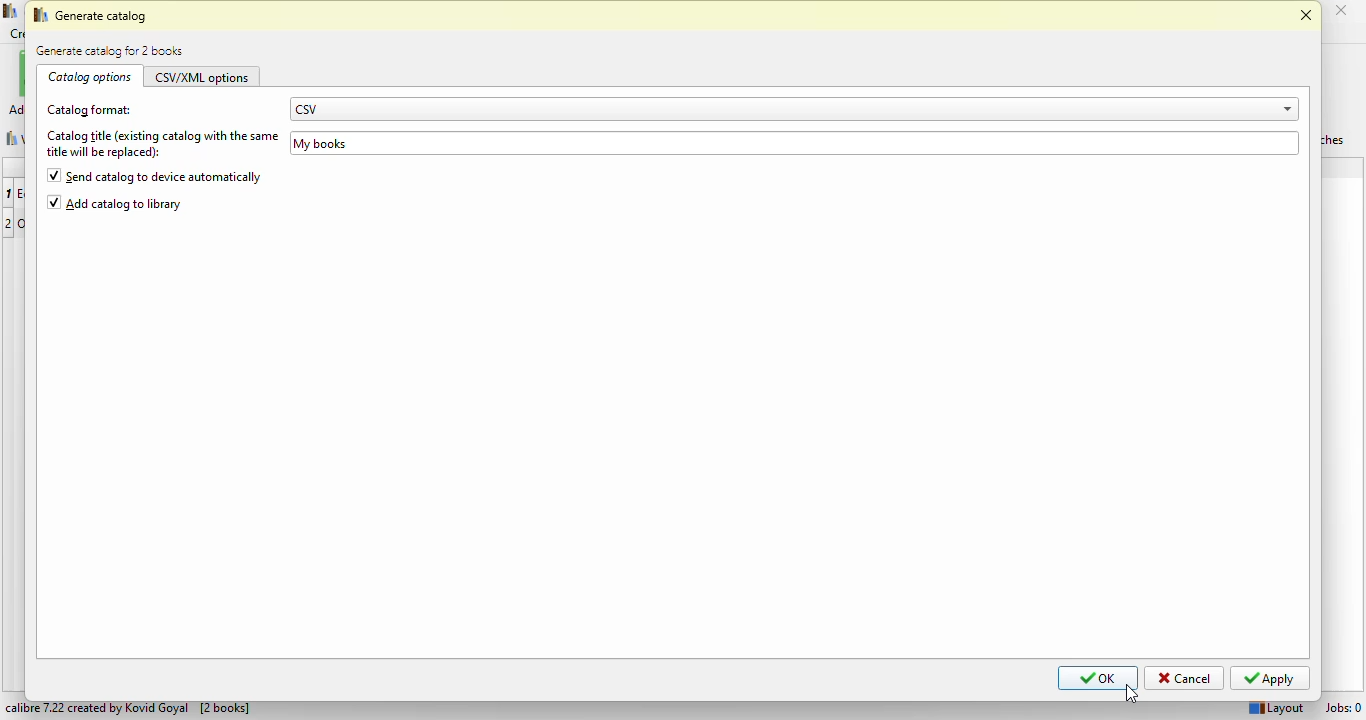 The image size is (1366, 720). Describe the element at coordinates (1098, 678) in the screenshot. I see `OK` at that location.